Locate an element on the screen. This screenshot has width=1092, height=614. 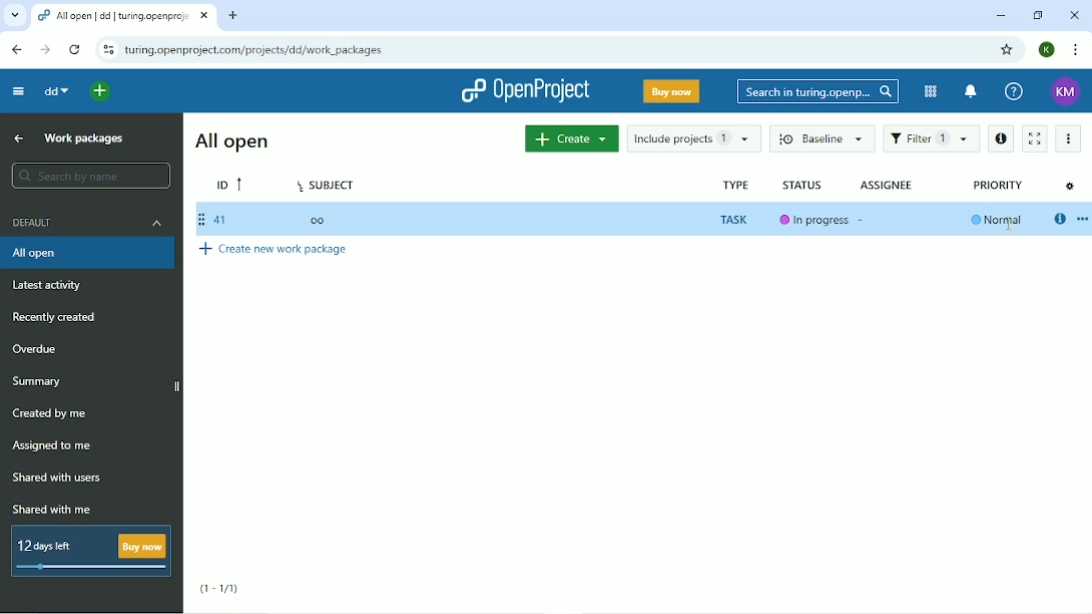
Assigned to me is located at coordinates (57, 447).